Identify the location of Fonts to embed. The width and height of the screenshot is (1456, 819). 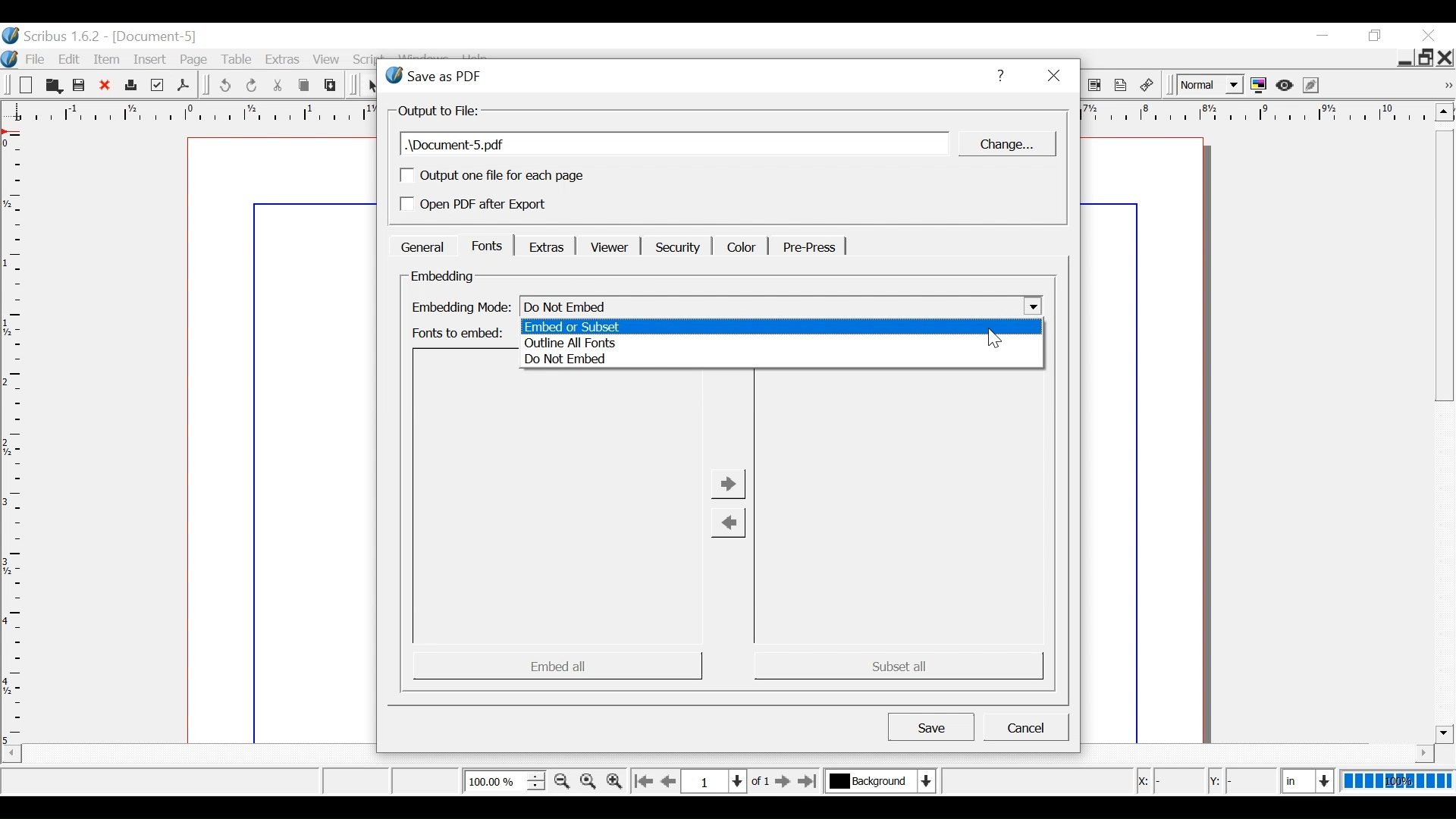
(460, 334).